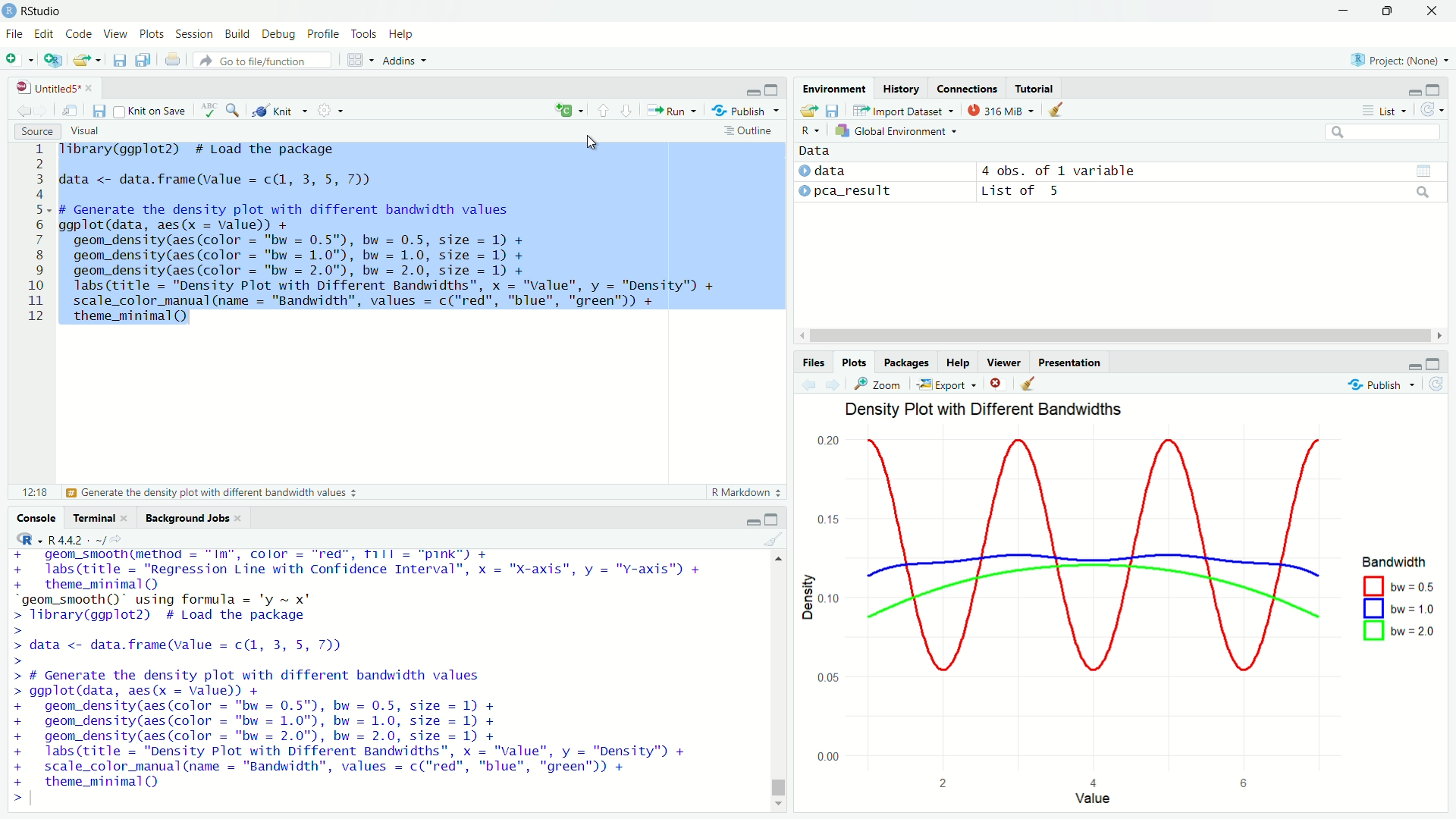  What do you see at coordinates (905, 362) in the screenshot?
I see `Packages` at bounding box center [905, 362].